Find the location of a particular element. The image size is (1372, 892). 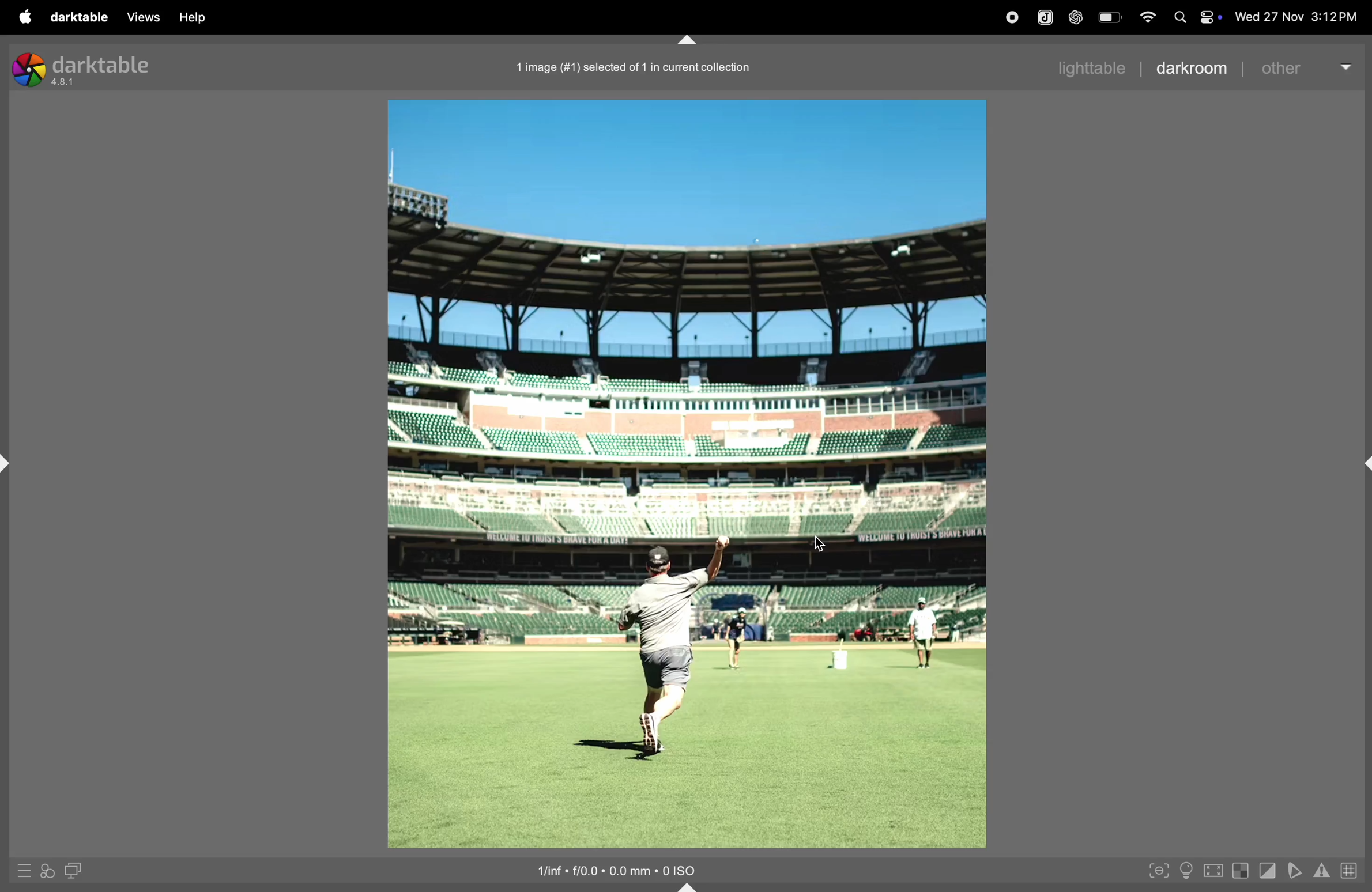

toggle clipping indication is located at coordinates (1266, 871).